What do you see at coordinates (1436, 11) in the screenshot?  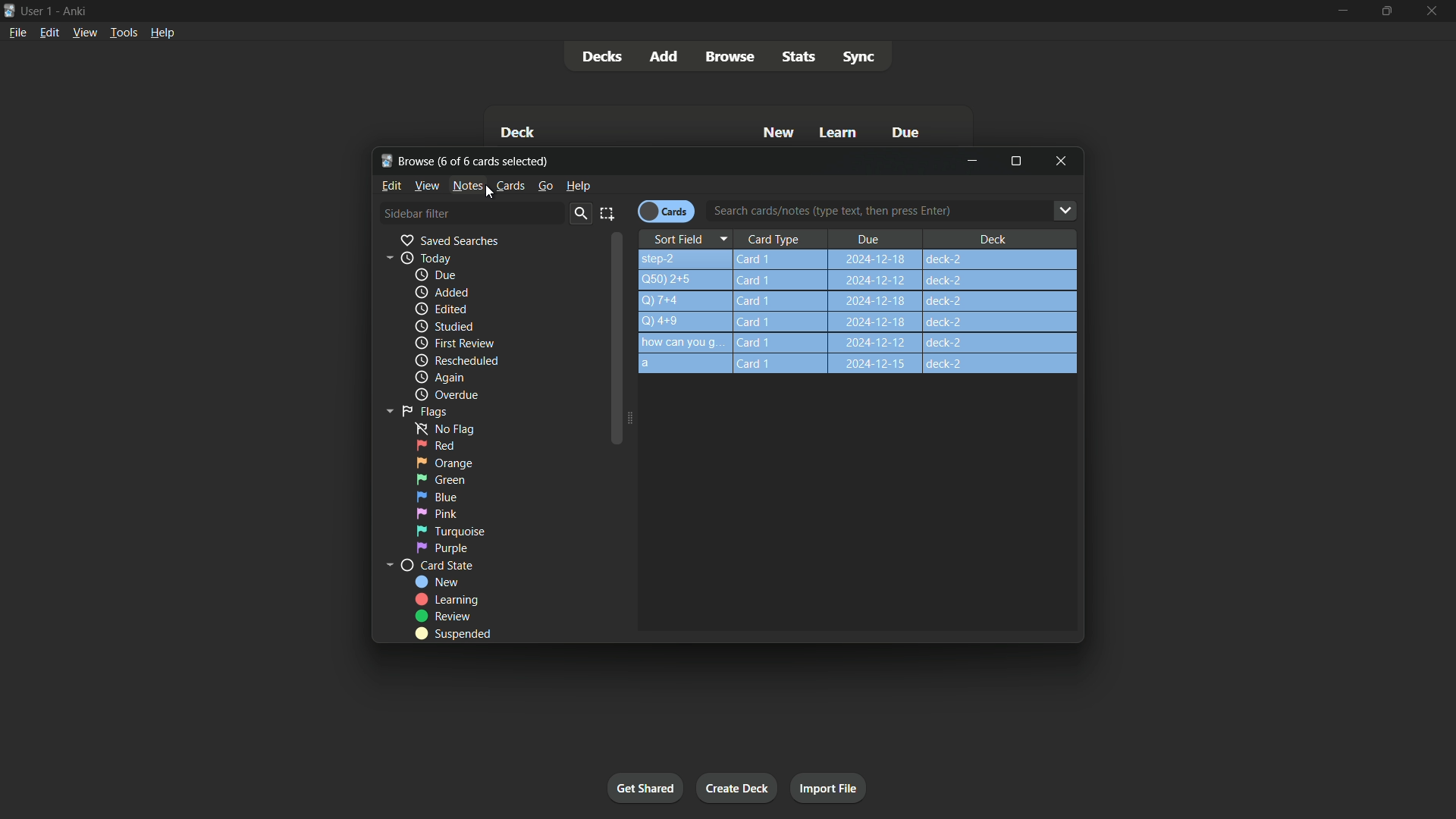 I see `Close app` at bounding box center [1436, 11].